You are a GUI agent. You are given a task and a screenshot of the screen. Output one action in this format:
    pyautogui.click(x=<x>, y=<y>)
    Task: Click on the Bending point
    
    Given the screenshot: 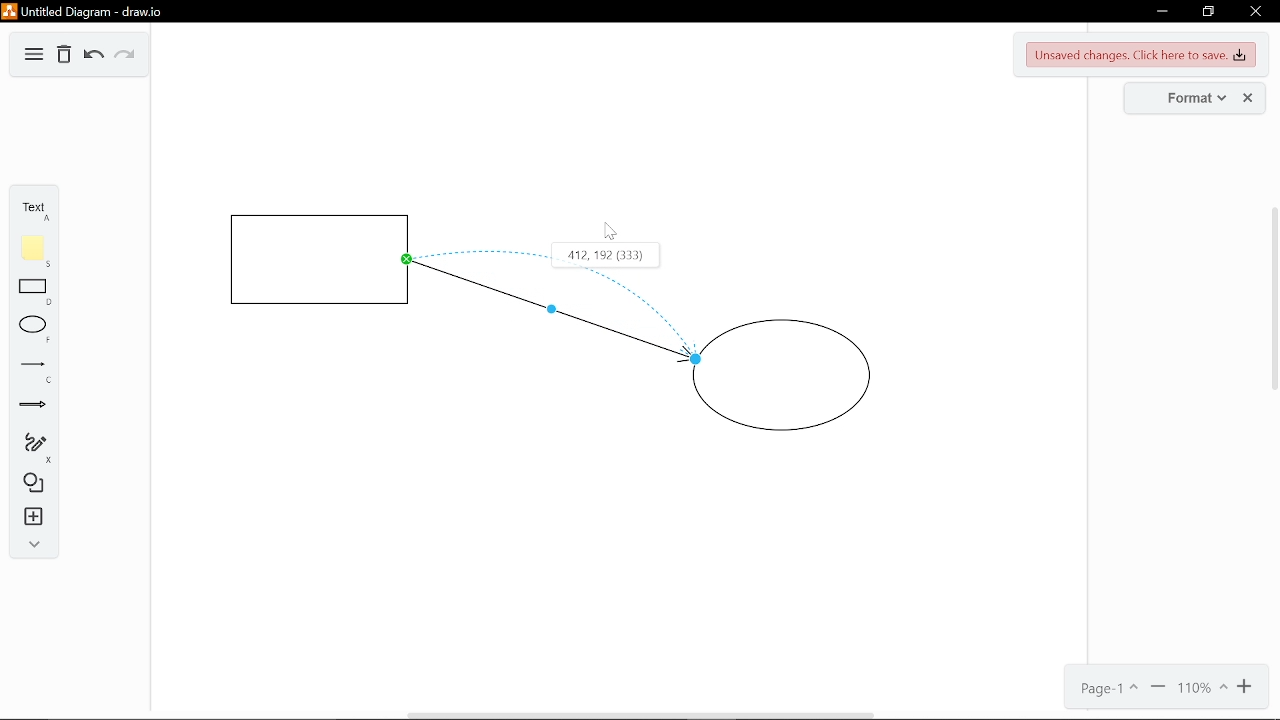 What is the action you would take?
    pyautogui.click(x=549, y=310)
    